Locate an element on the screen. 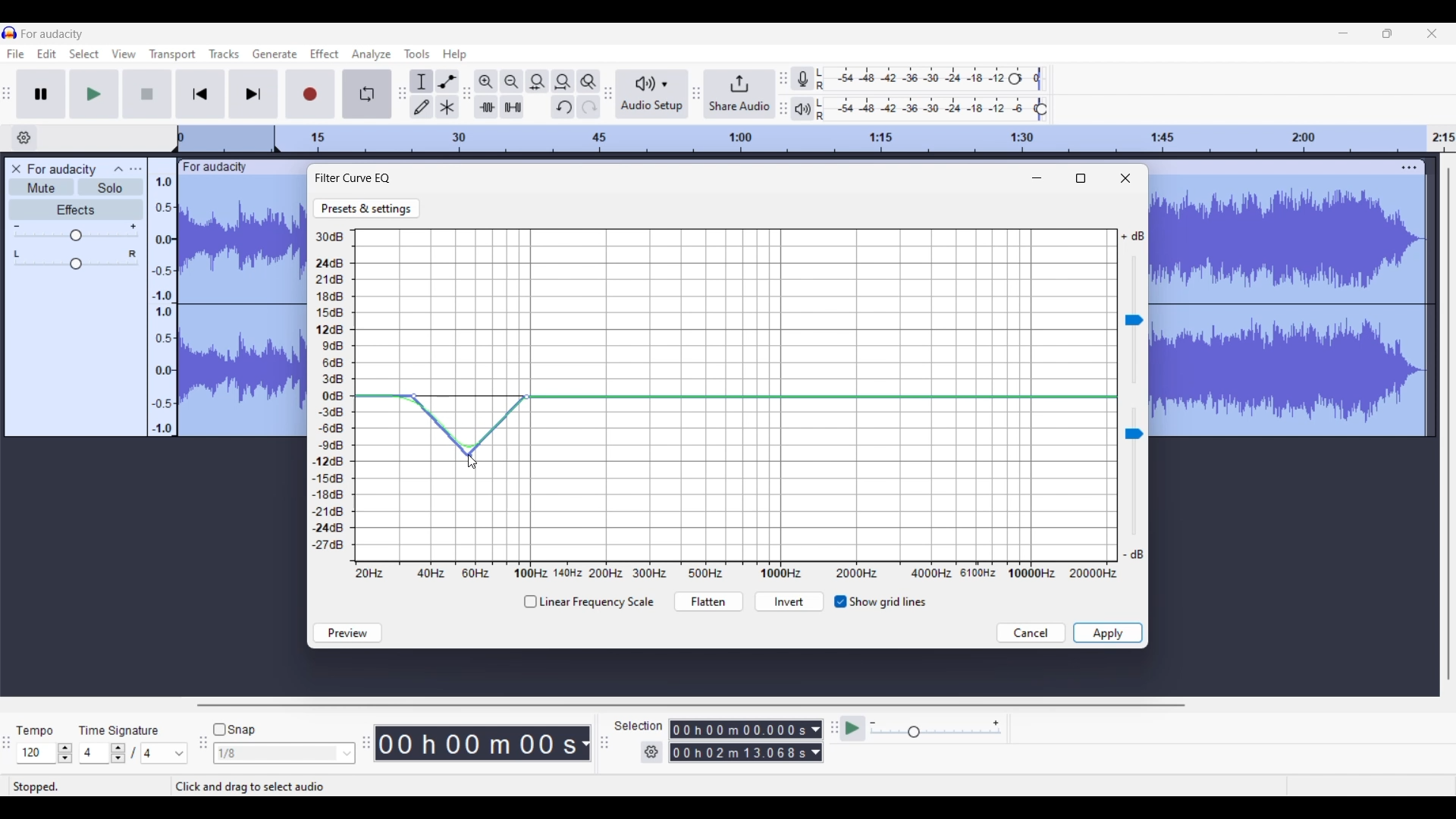  Recording level header is located at coordinates (1015, 79).